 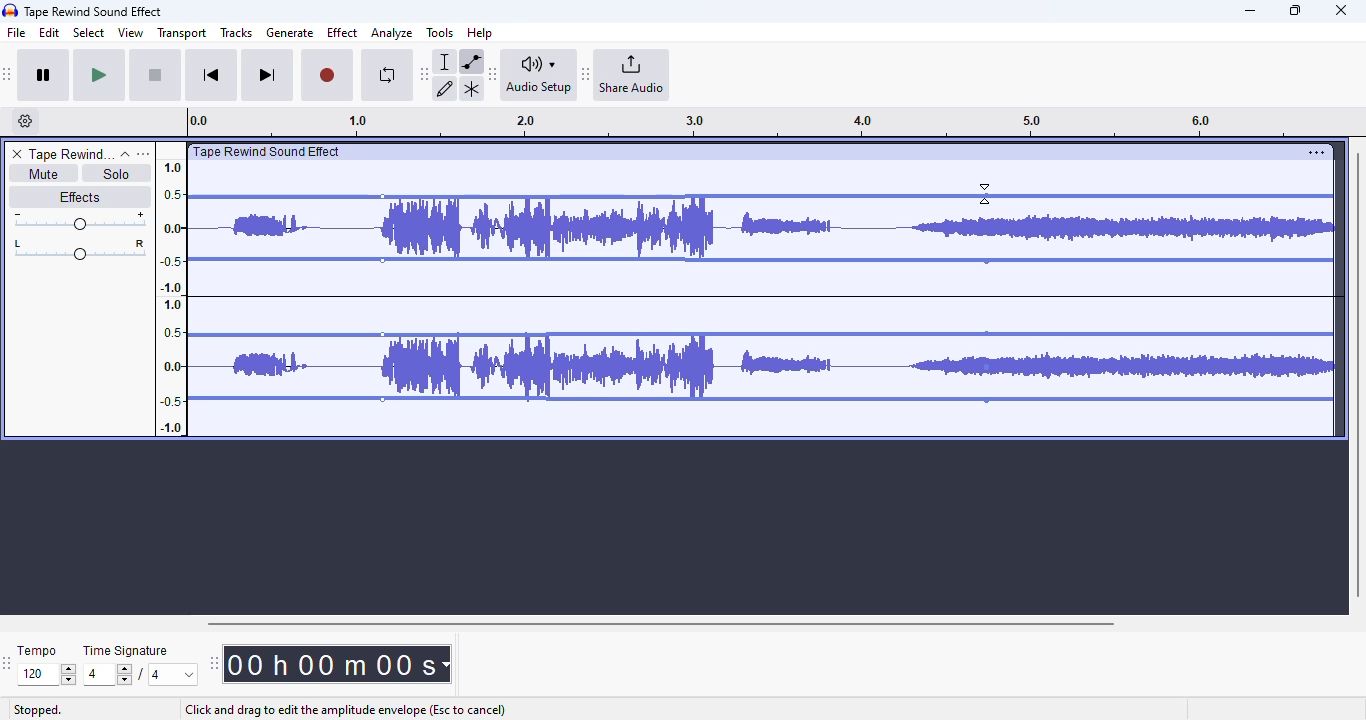 I want to click on volume of the track reduced, so click(x=1149, y=290).